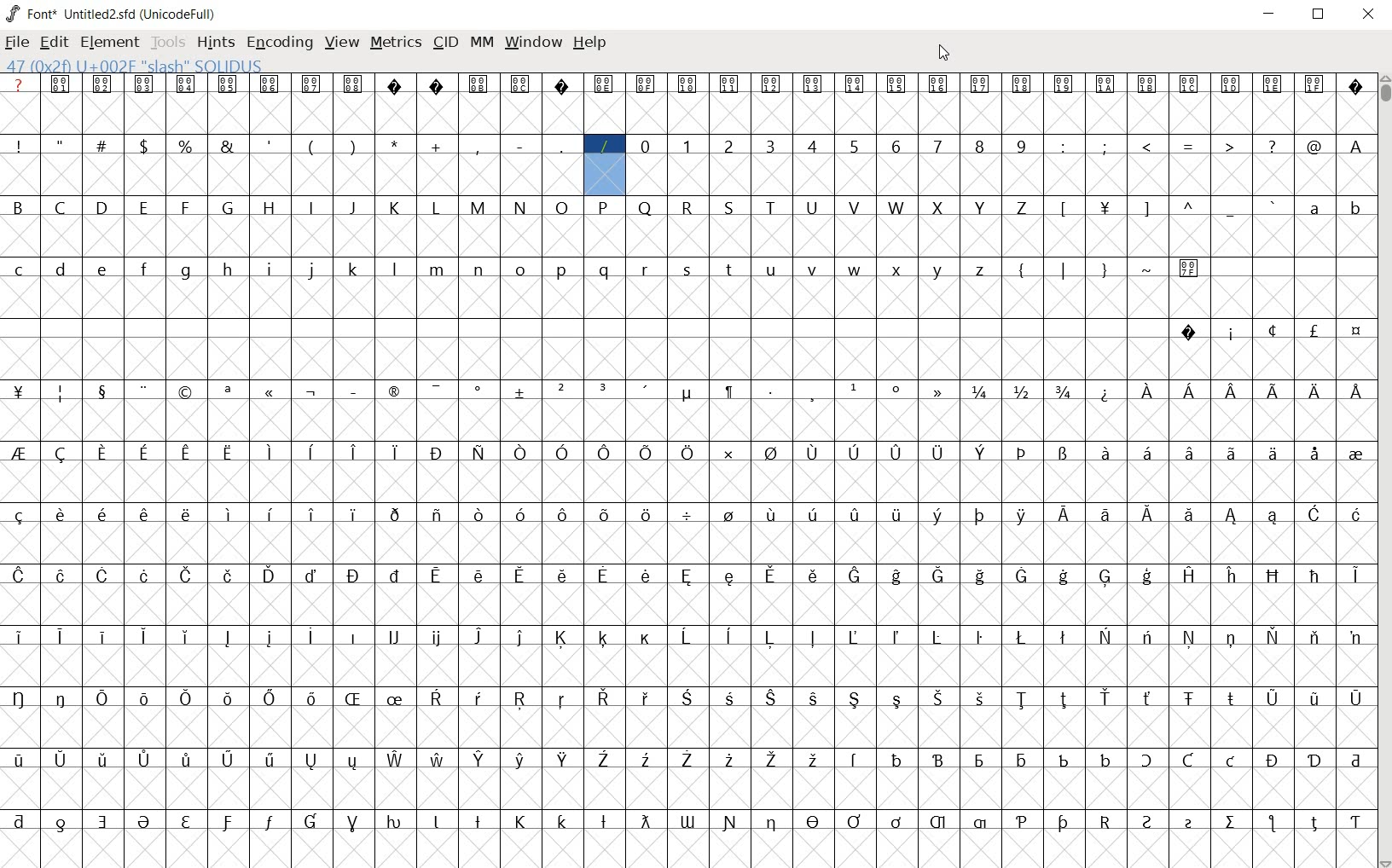 This screenshot has height=868, width=1392. I want to click on glyph, so click(937, 822).